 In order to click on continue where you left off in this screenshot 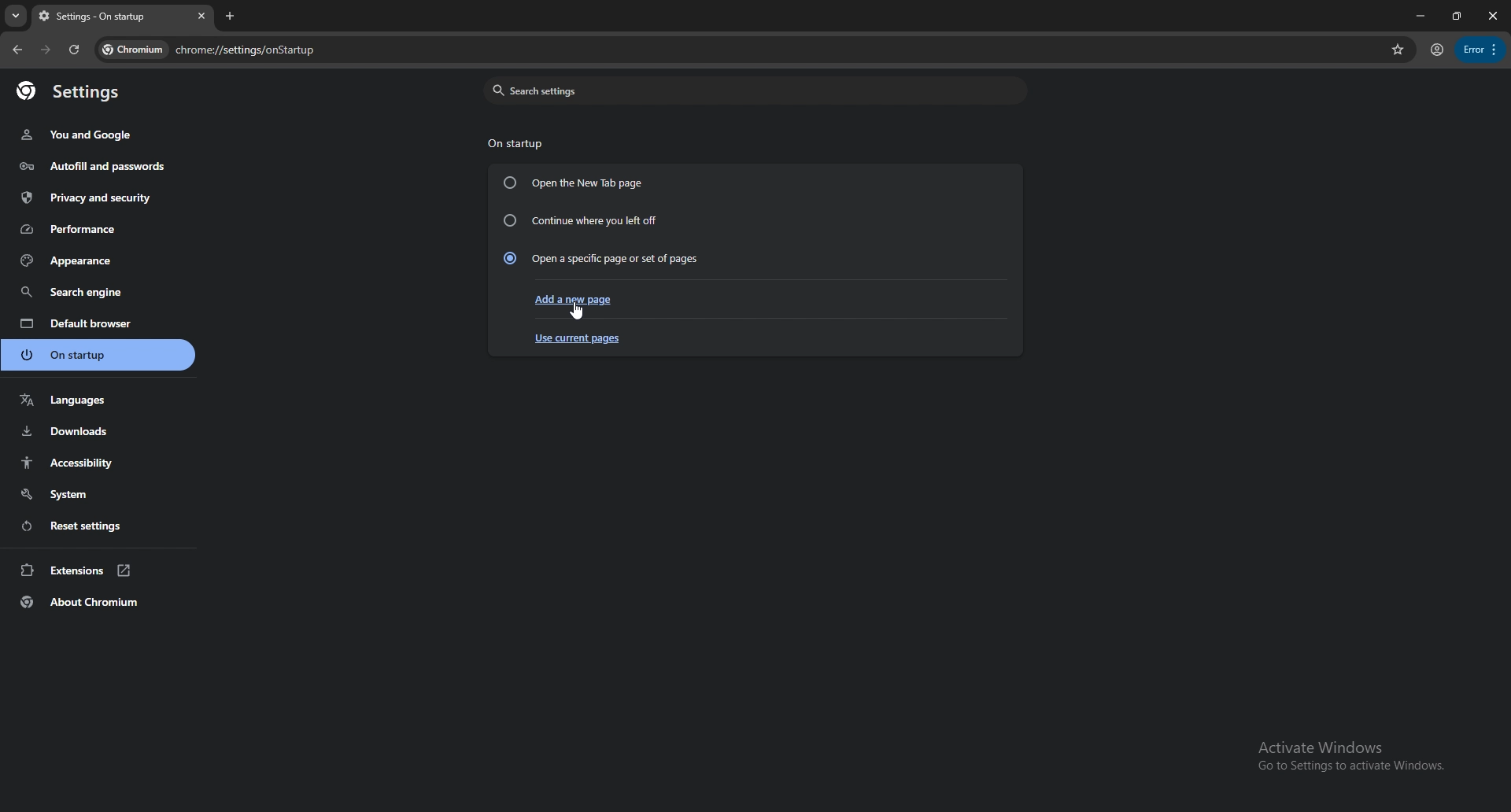, I will do `click(582, 219)`.